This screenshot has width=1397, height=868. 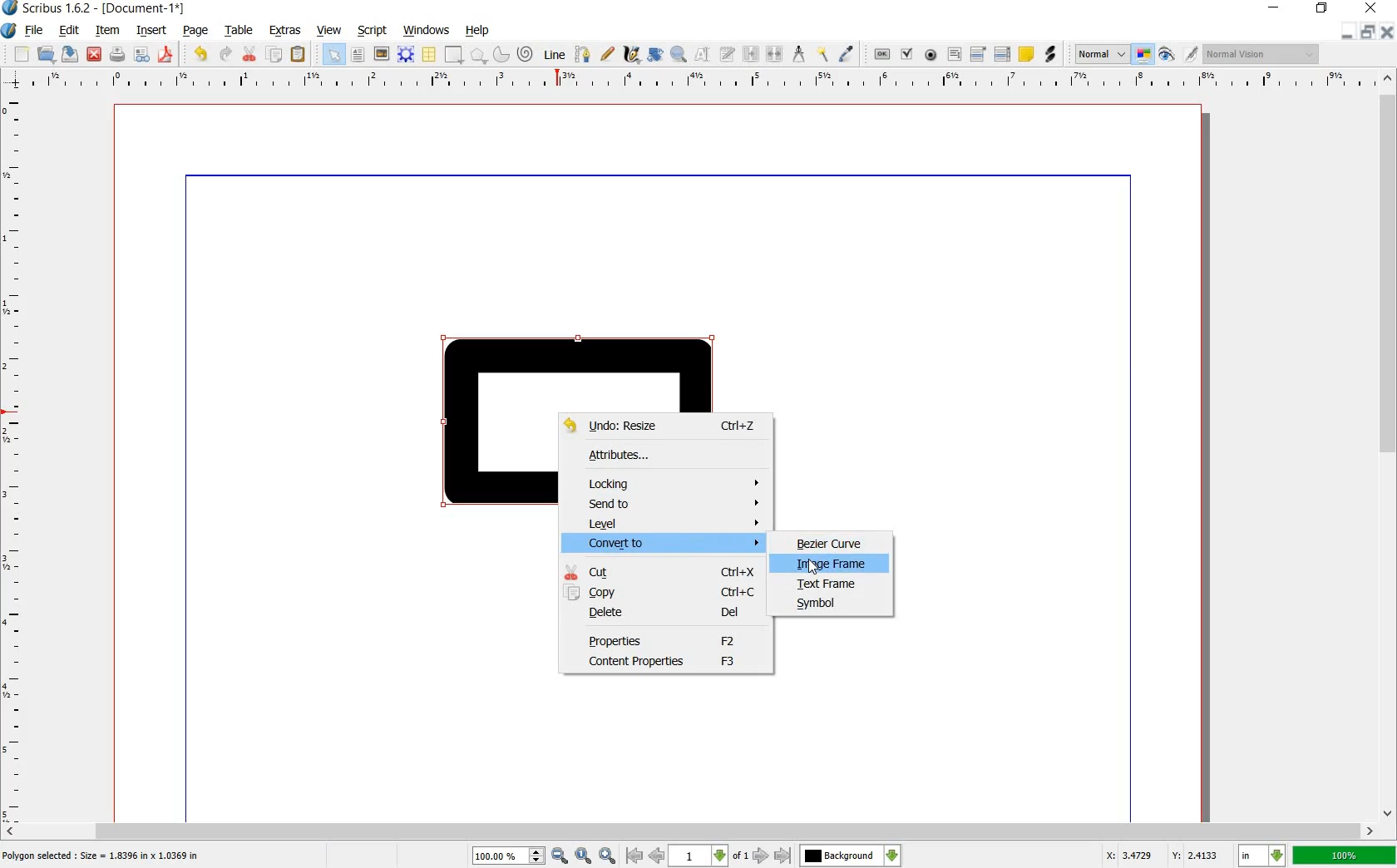 I want to click on text annotation, so click(x=1027, y=55).